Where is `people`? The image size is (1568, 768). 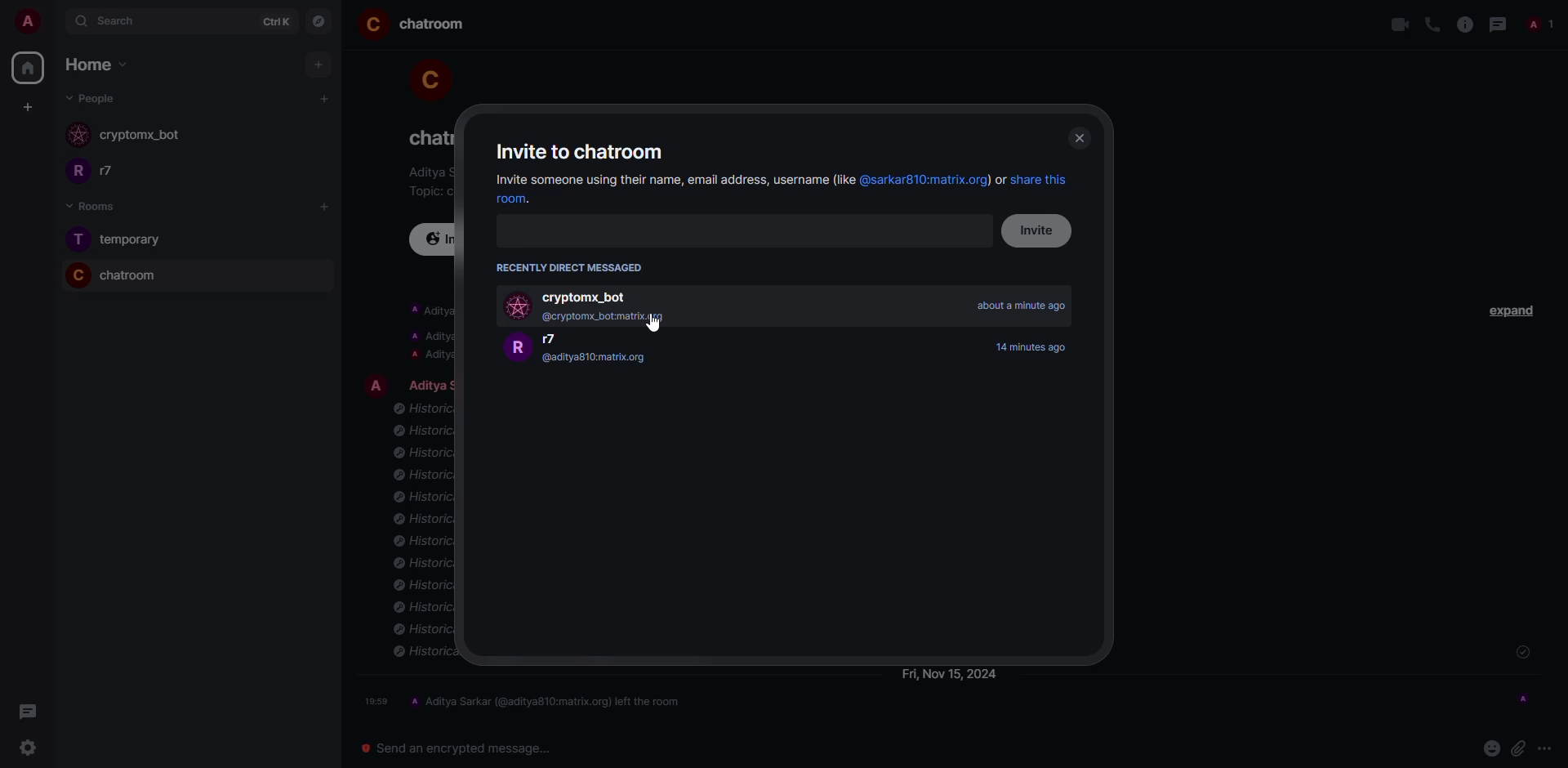
people is located at coordinates (429, 384).